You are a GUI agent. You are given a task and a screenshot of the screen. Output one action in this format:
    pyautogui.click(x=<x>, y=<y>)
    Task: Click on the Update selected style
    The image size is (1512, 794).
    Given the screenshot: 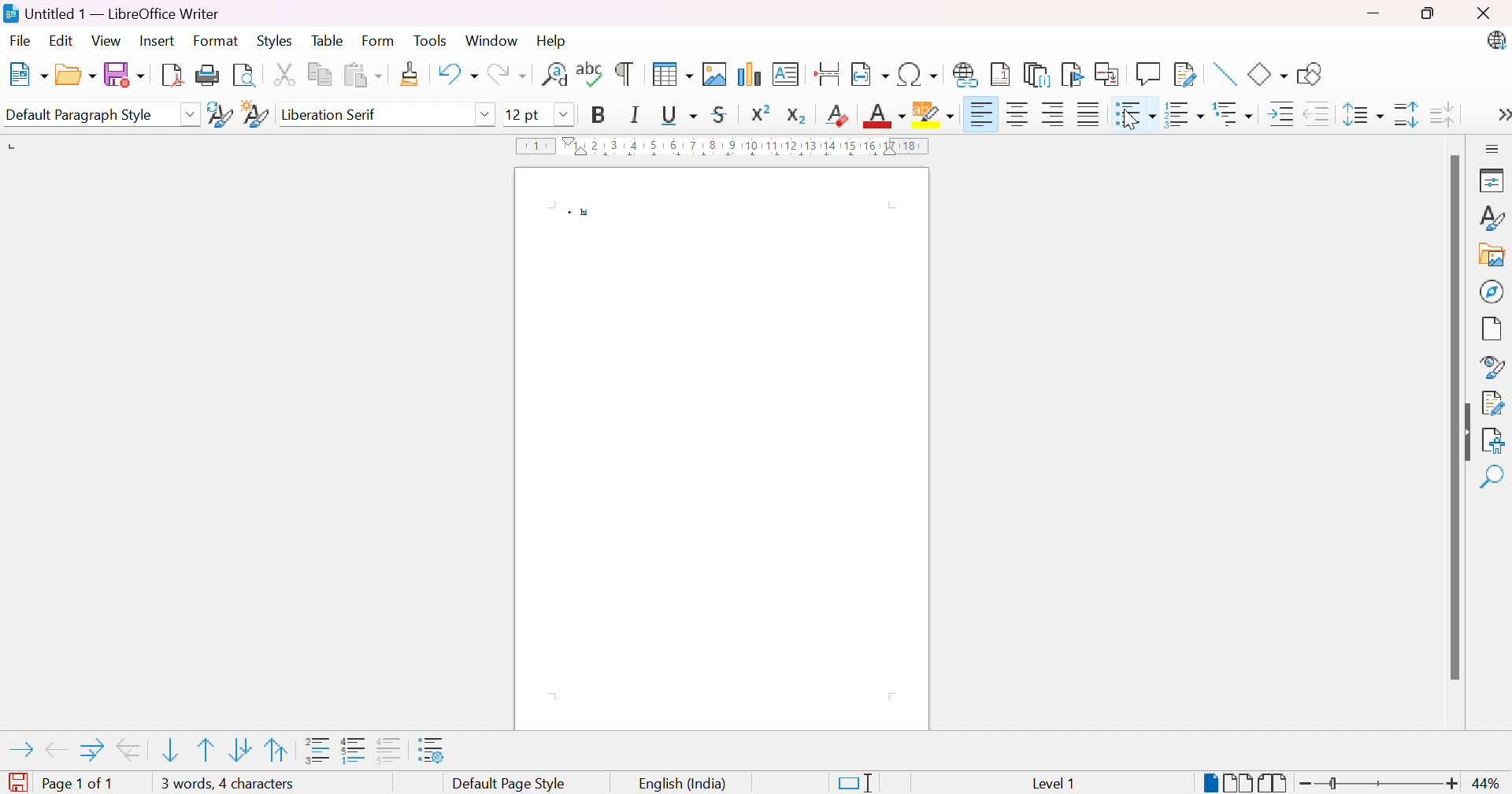 What is the action you would take?
    pyautogui.click(x=220, y=114)
    